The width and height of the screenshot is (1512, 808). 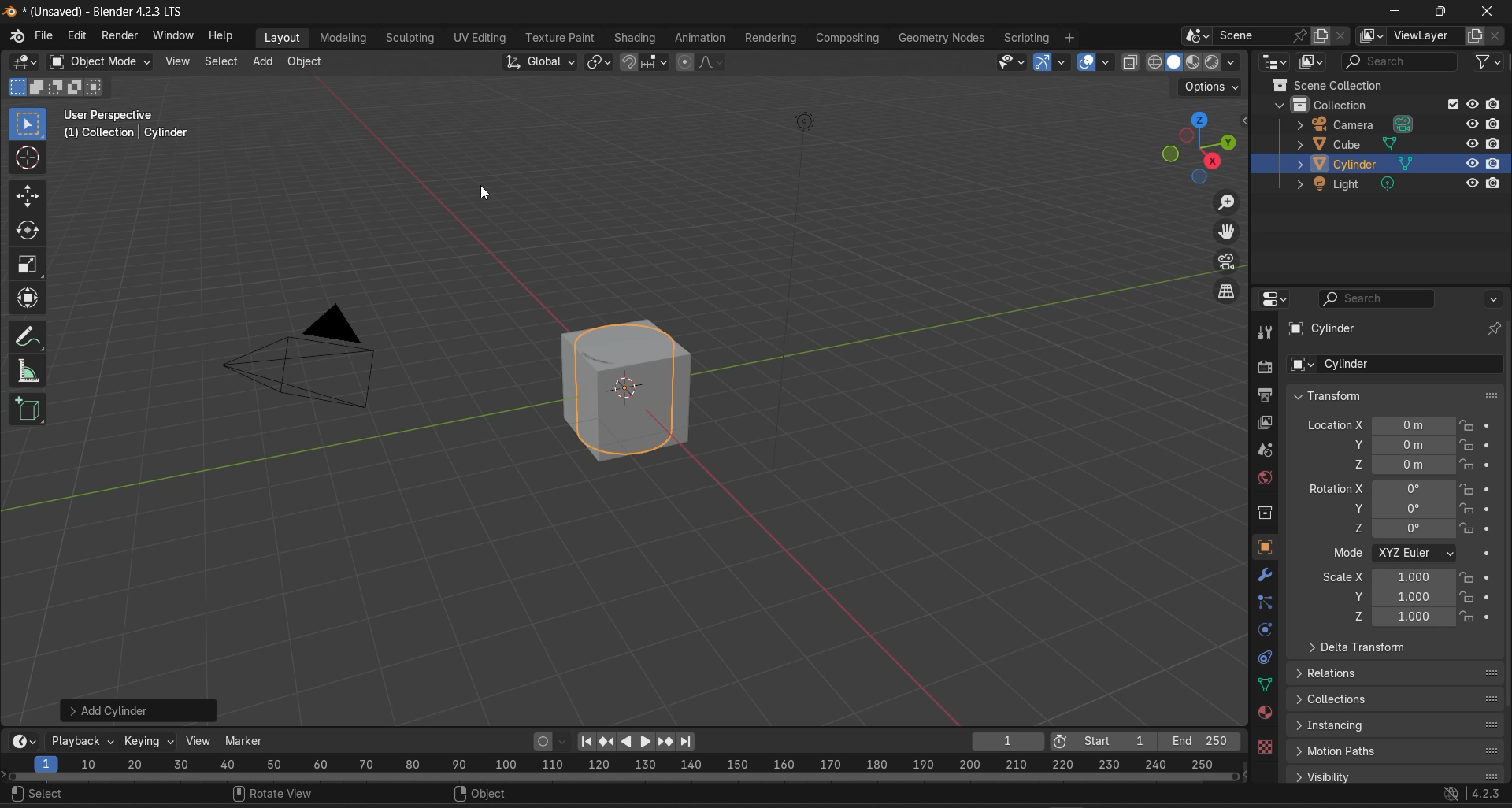 What do you see at coordinates (1496, 37) in the screenshot?
I see `remove view layer` at bounding box center [1496, 37].